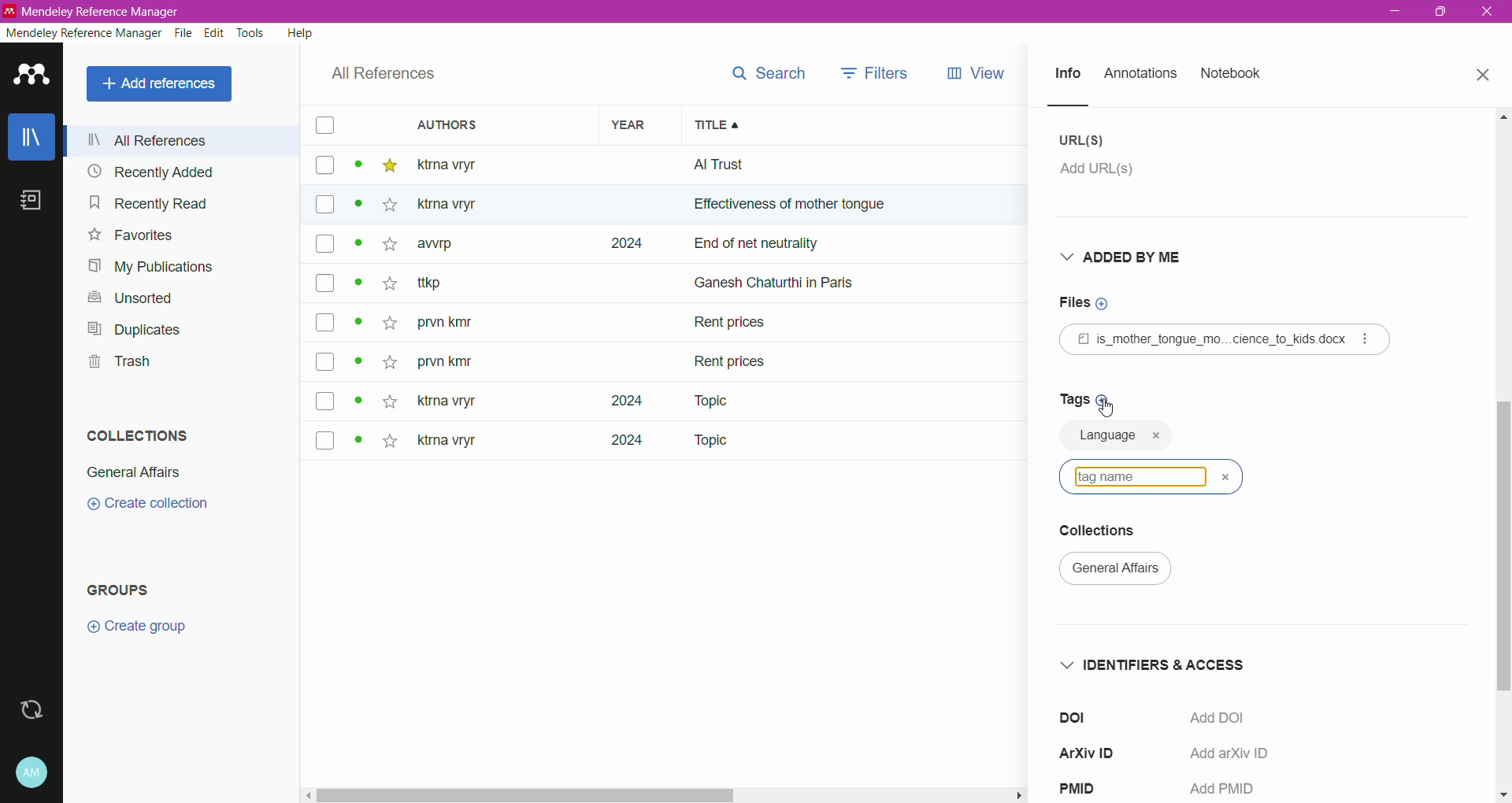  Describe the element at coordinates (1225, 339) in the screenshot. I see `Reference File ` at that location.